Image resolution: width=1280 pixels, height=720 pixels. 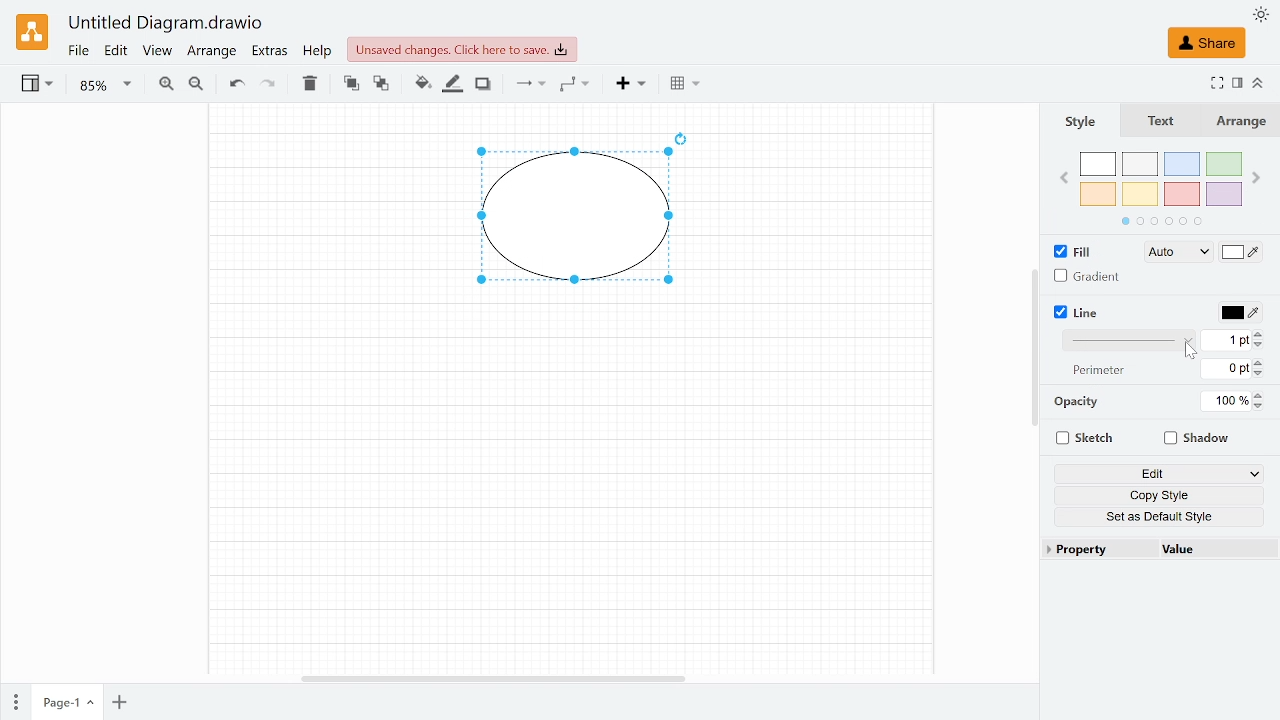 I want to click on Untitled Diagram.drawio, so click(x=164, y=23).